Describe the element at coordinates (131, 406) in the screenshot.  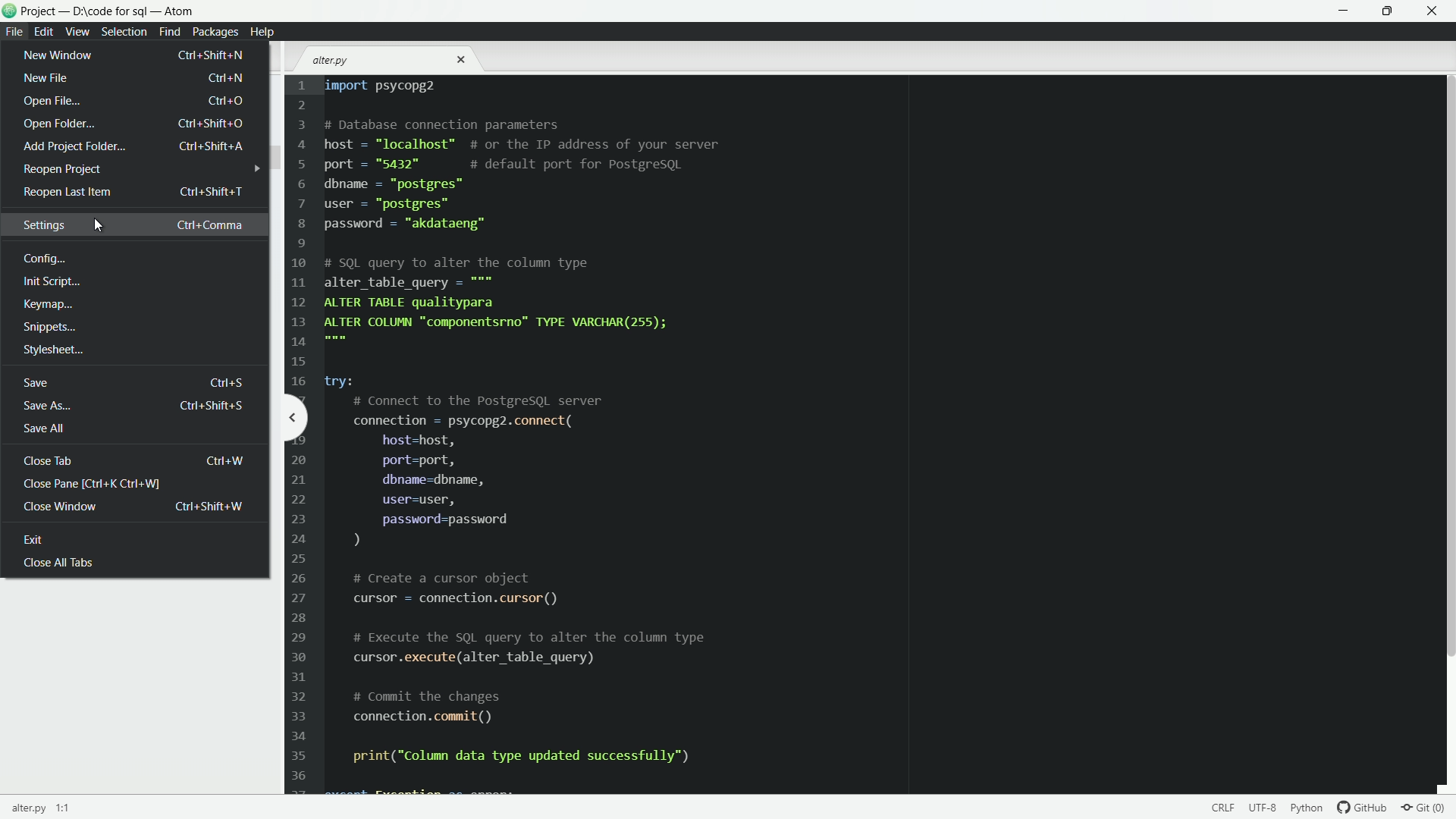
I see `save as` at that location.